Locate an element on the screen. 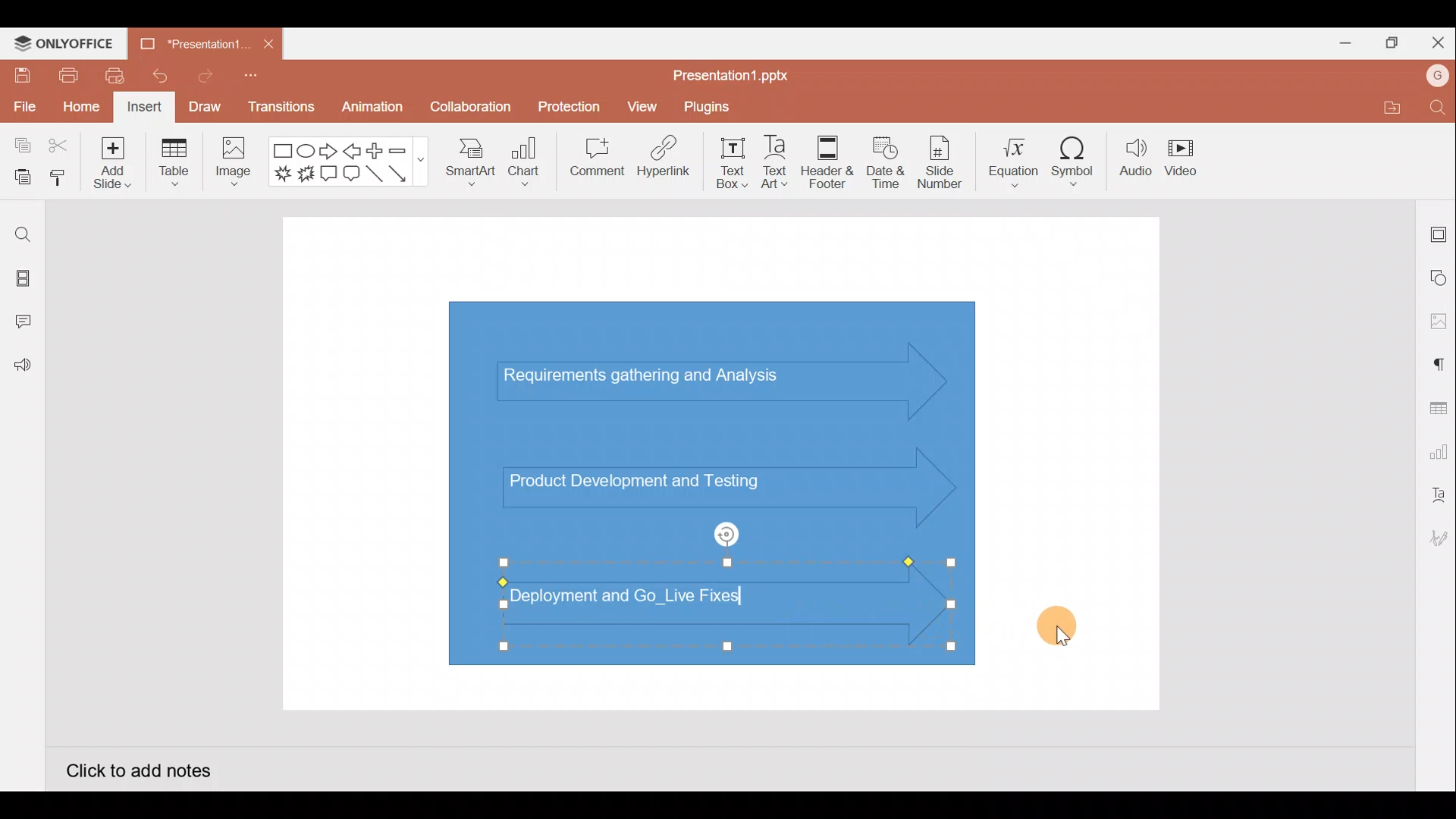  Comment is located at coordinates (591, 160).